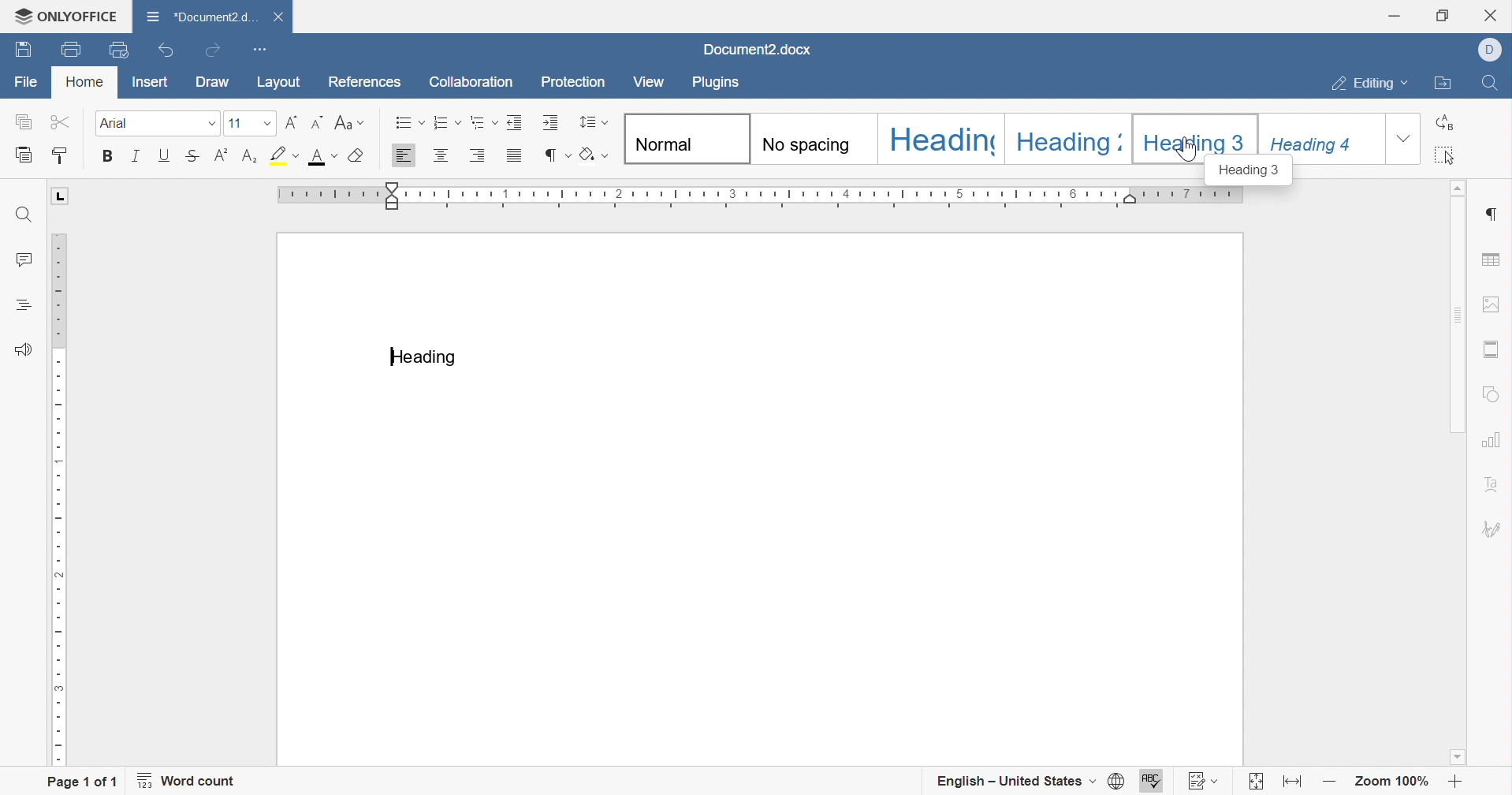  Describe the element at coordinates (718, 81) in the screenshot. I see `Plugins` at that location.